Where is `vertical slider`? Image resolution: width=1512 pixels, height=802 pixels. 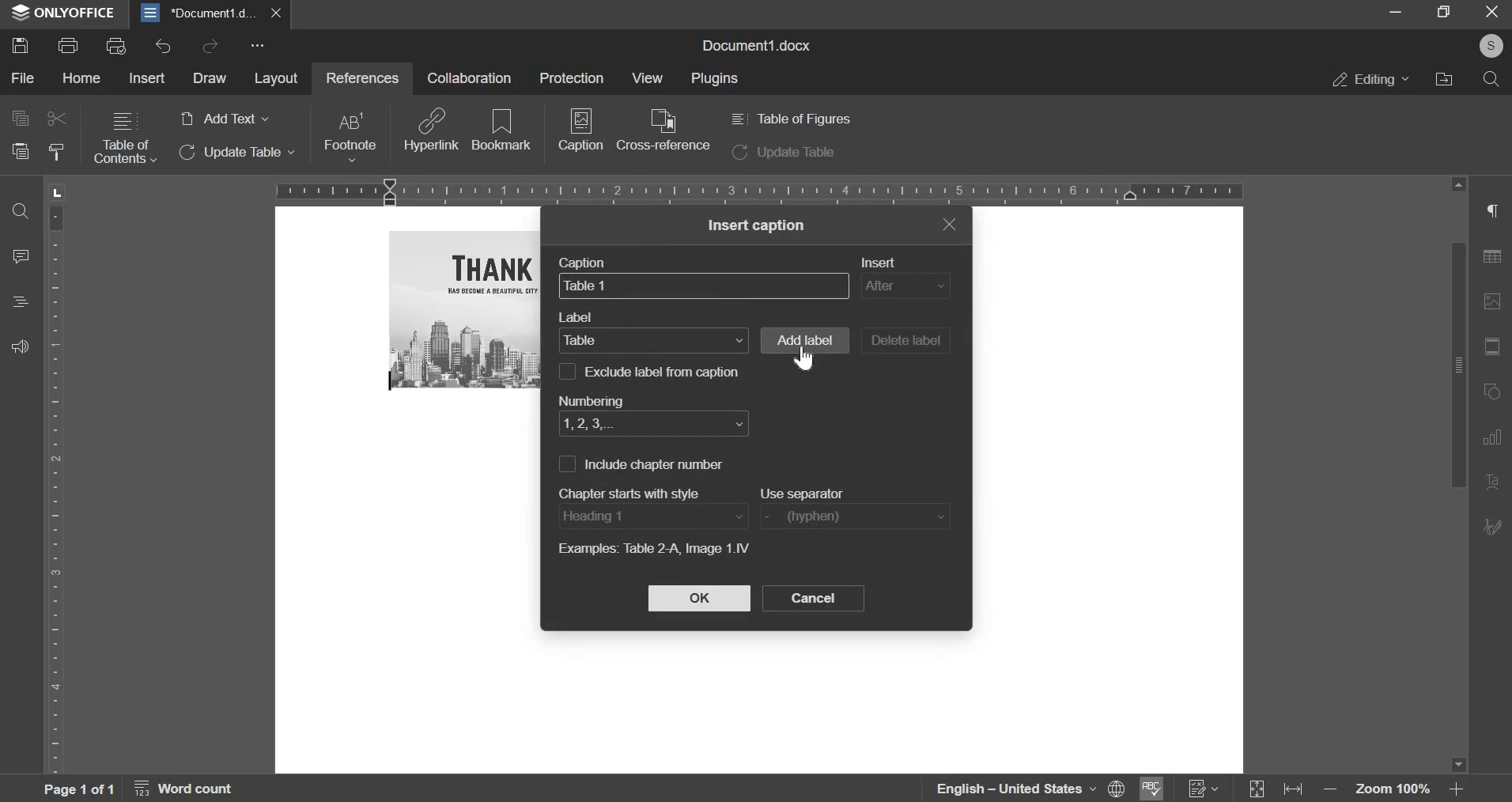 vertical slider is located at coordinates (1457, 475).